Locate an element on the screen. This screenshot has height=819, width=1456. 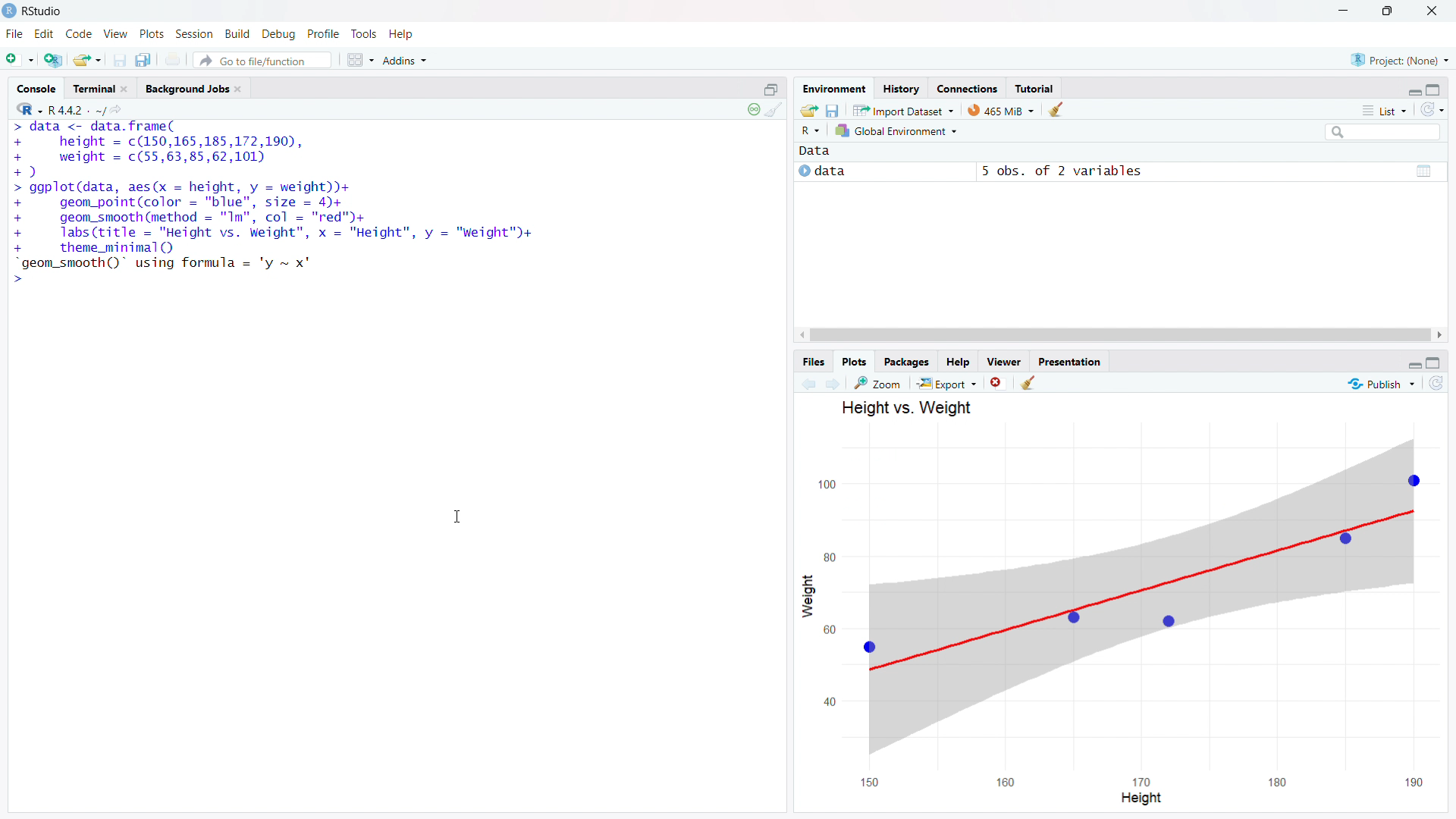
code is located at coordinates (79, 34).